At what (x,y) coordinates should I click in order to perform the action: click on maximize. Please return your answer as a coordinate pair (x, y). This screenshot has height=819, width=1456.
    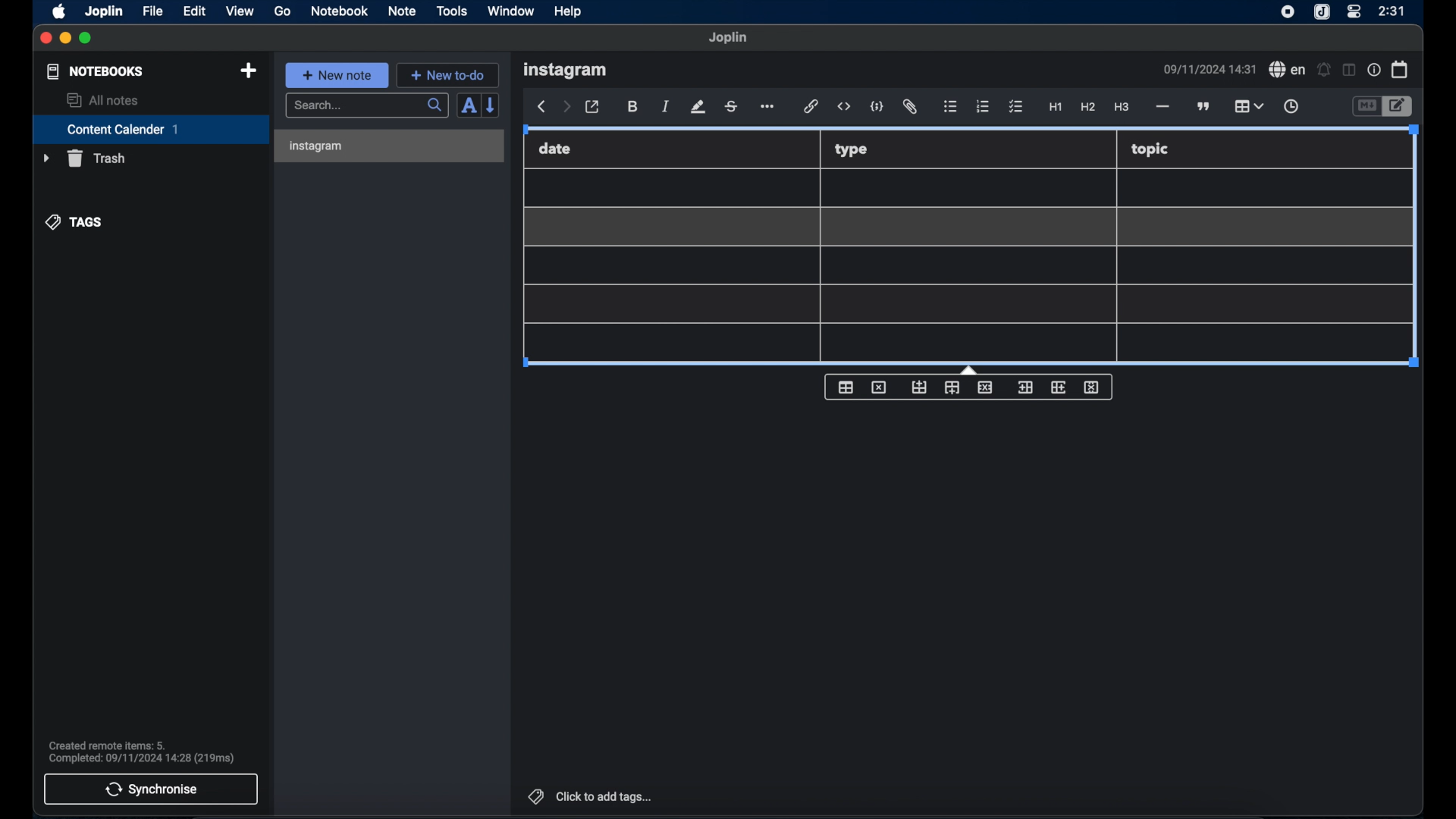
    Looking at the image, I should click on (86, 39).